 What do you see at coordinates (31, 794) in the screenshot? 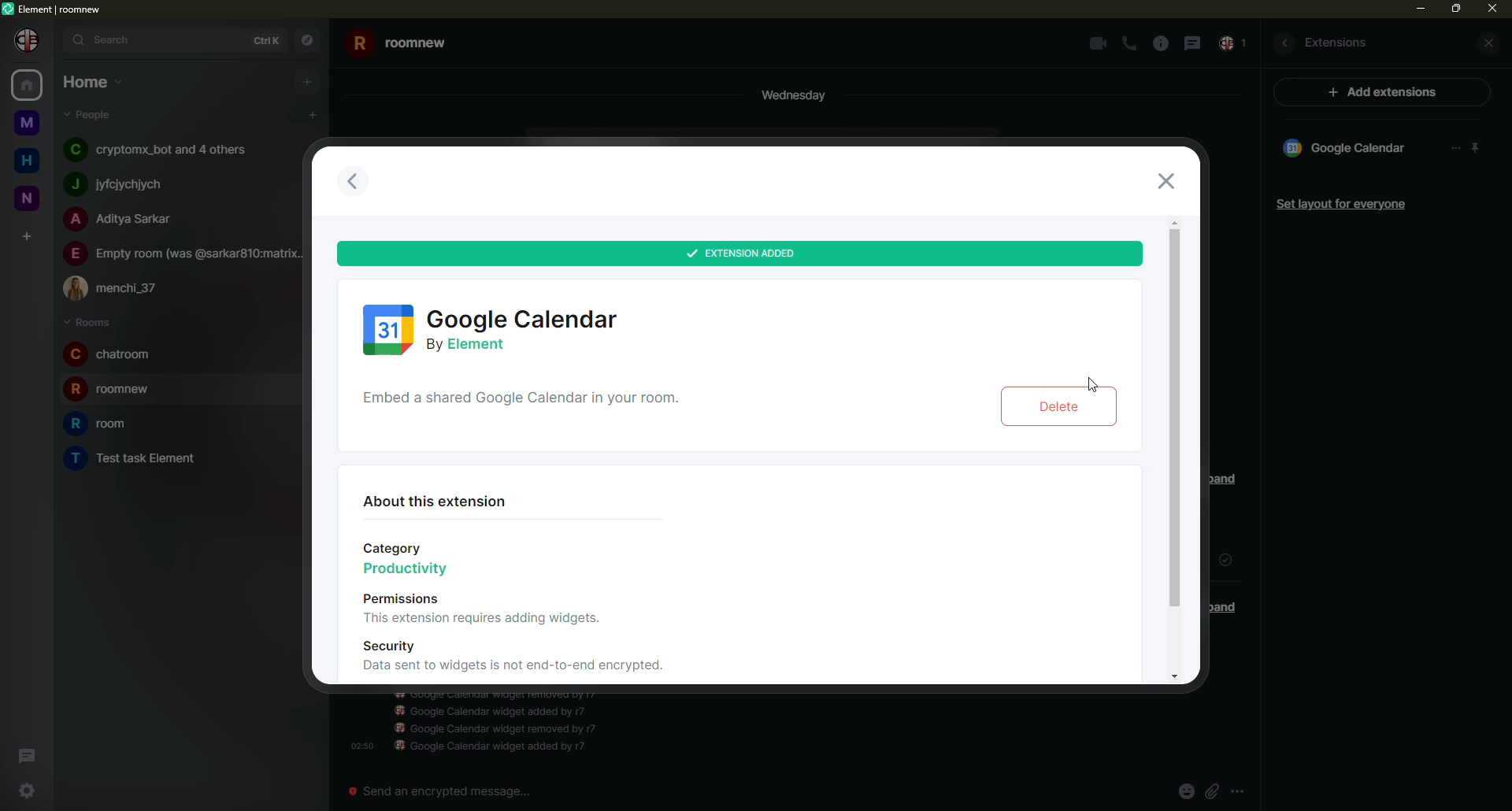
I see `settings` at bounding box center [31, 794].